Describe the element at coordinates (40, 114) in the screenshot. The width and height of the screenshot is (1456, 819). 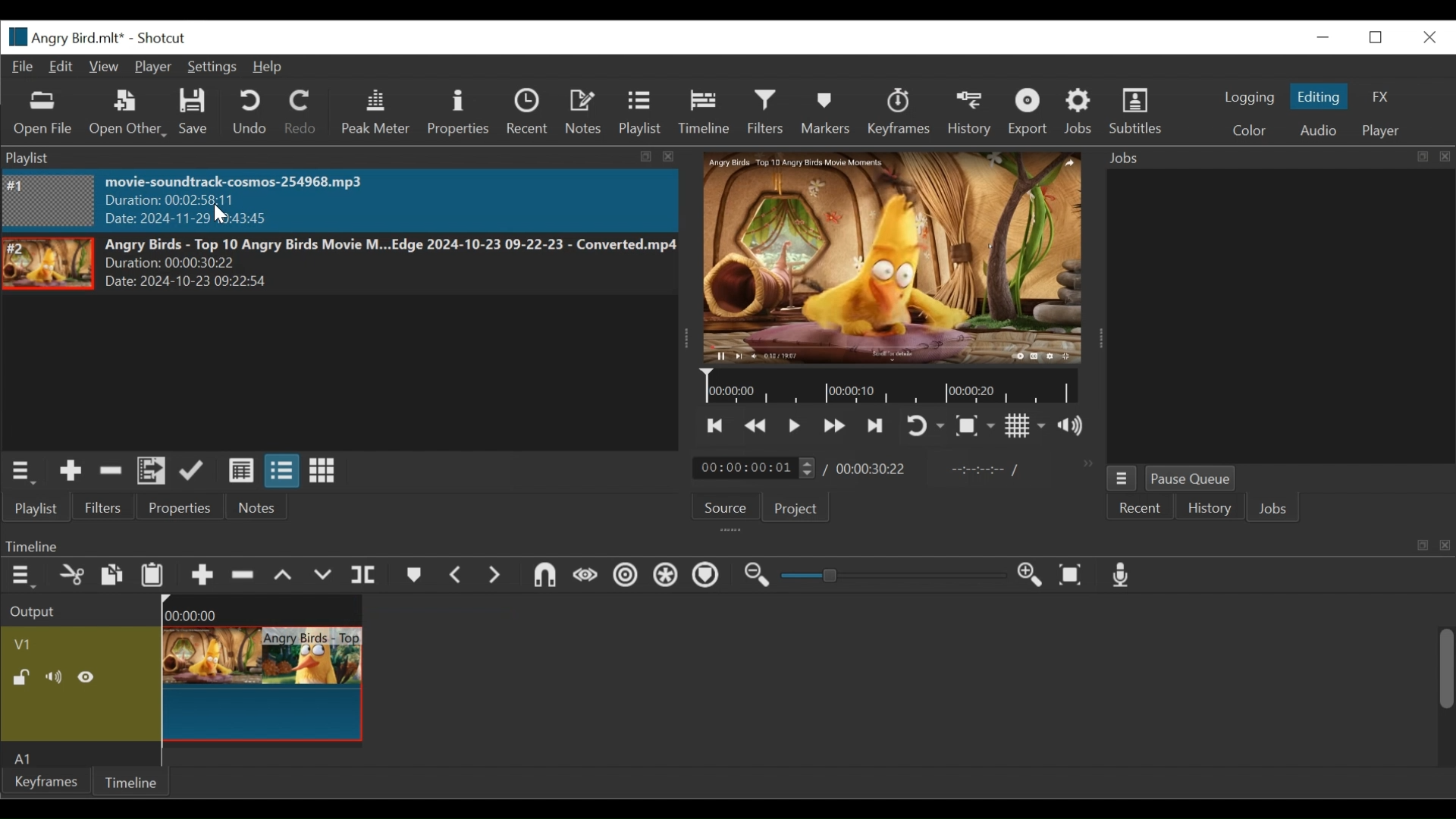
I see `Open File` at that location.